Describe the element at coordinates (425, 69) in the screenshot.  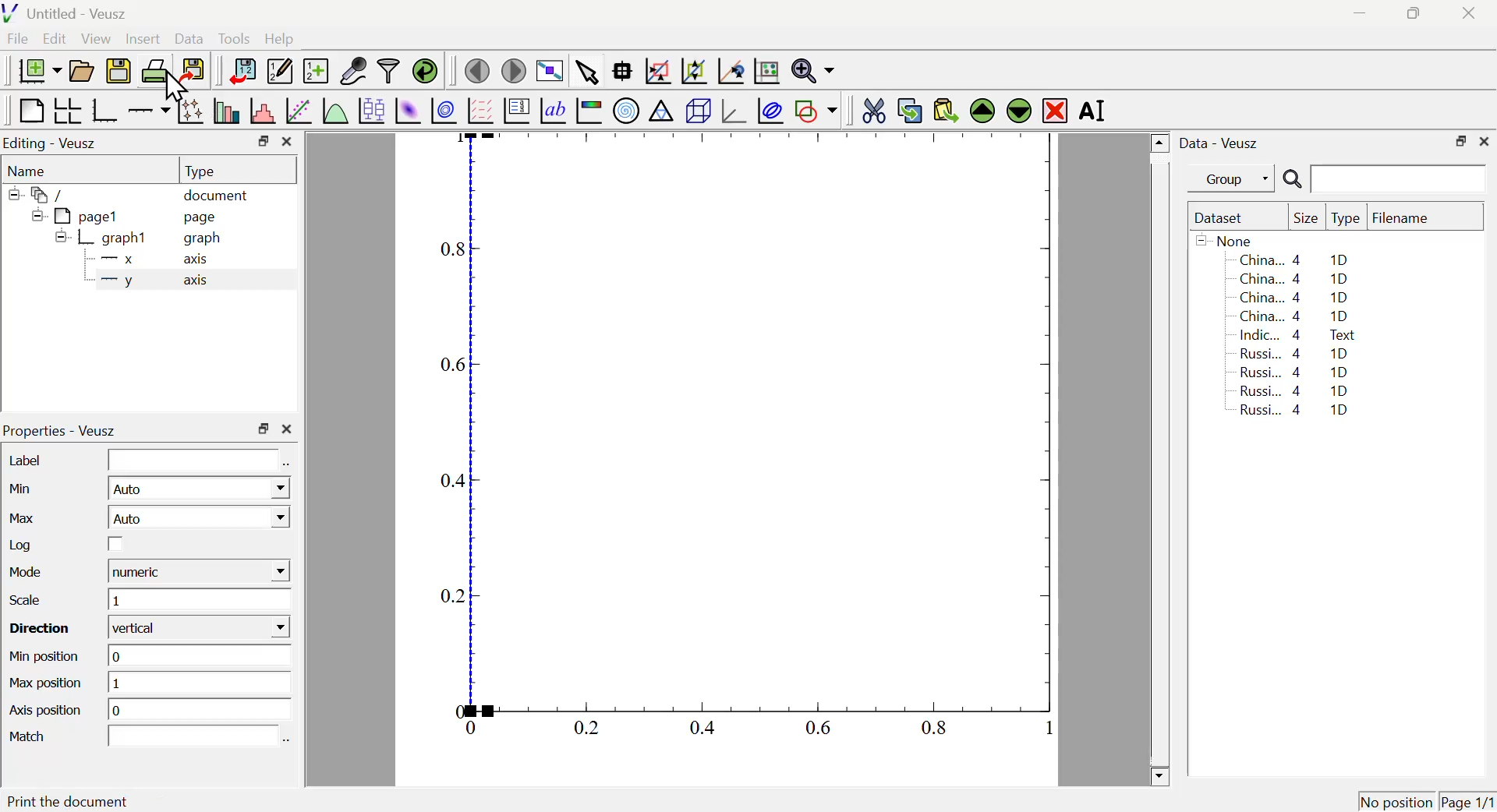
I see `Reload linked dataset` at that location.